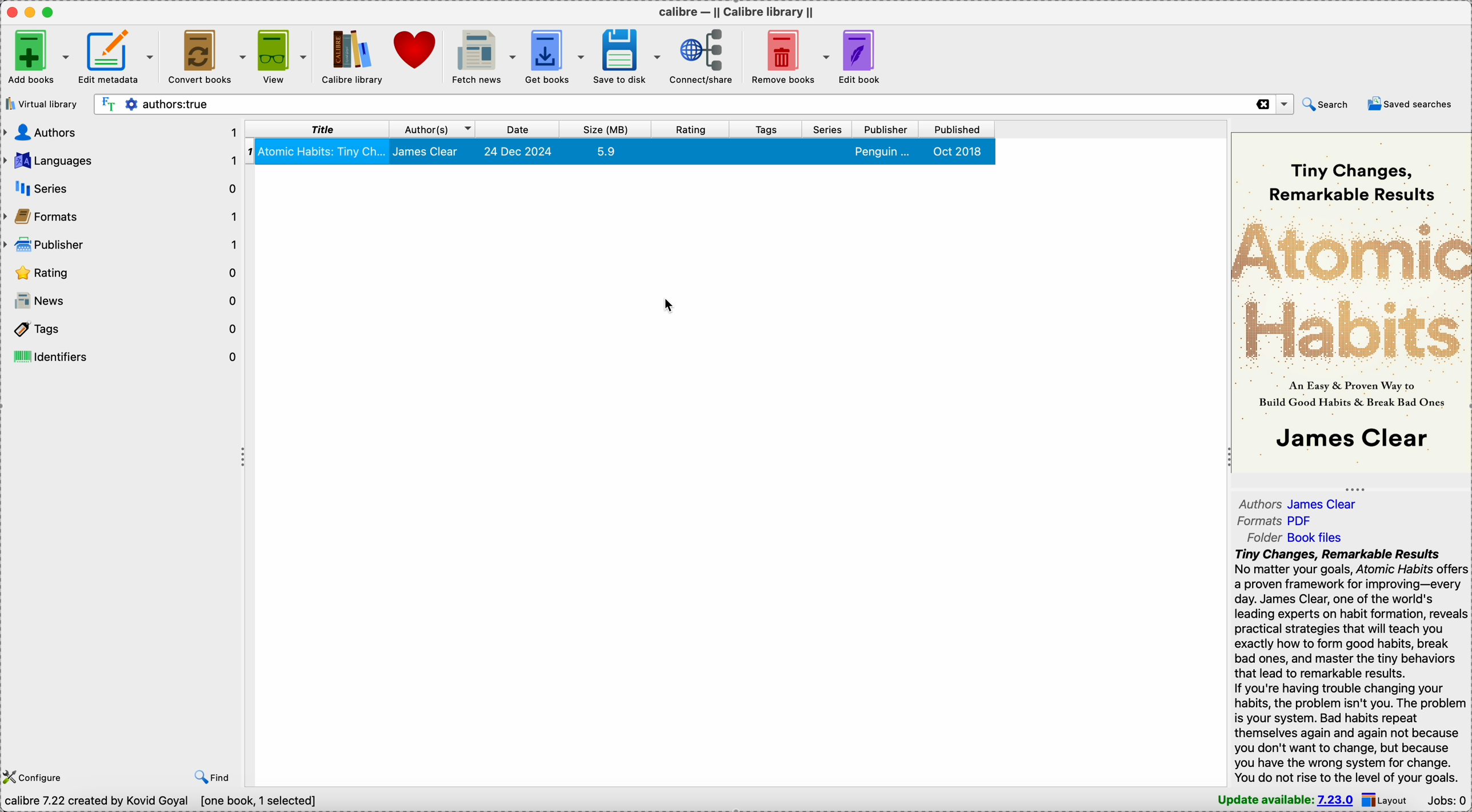 This screenshot has height=812, width=1472. Describe the element at coordinates (122, 243) in the screenshot. I see `publisher` at that location.